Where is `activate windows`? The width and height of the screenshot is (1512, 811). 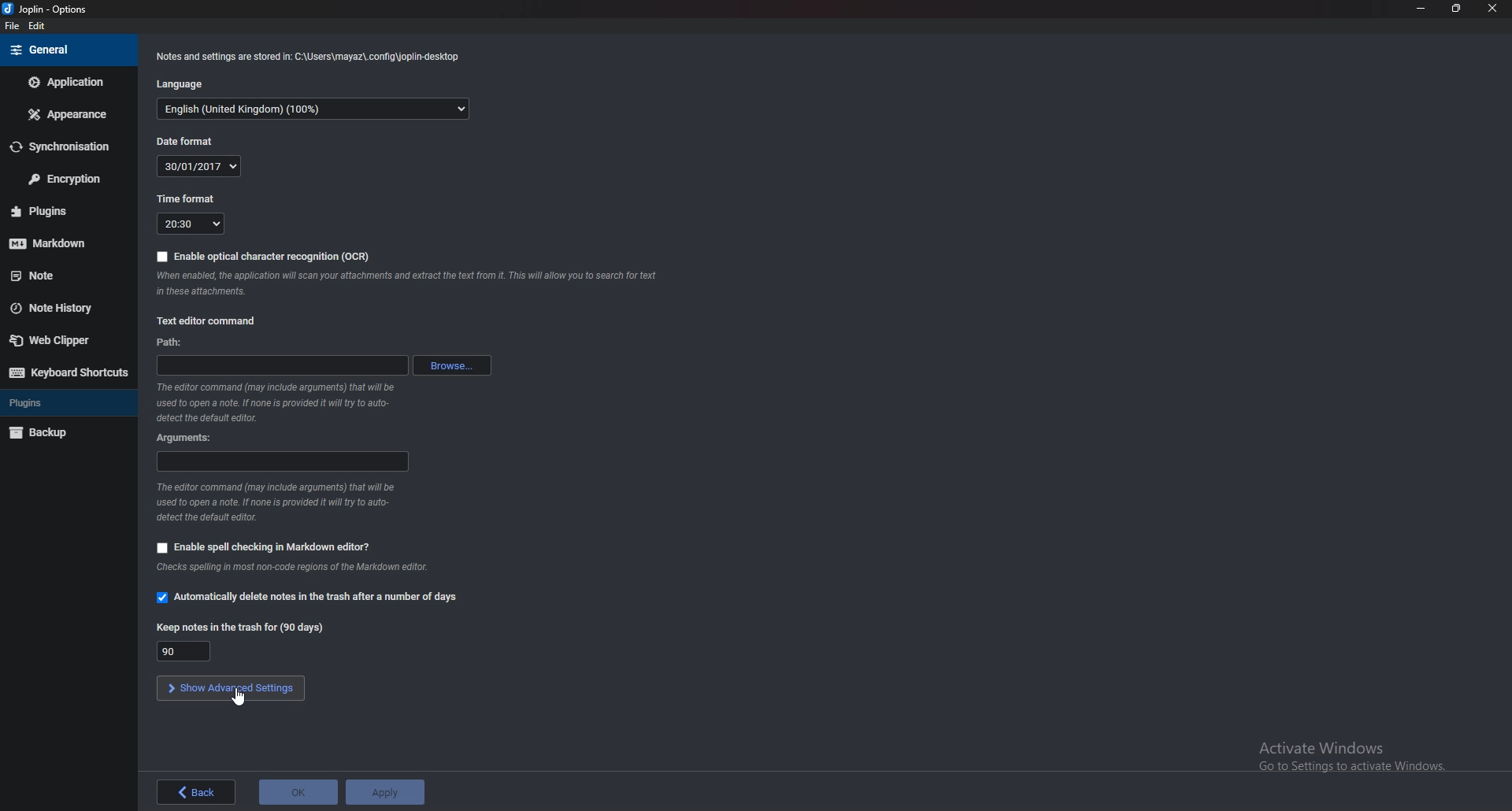 activate windows is located at coordinates (1342, 751).